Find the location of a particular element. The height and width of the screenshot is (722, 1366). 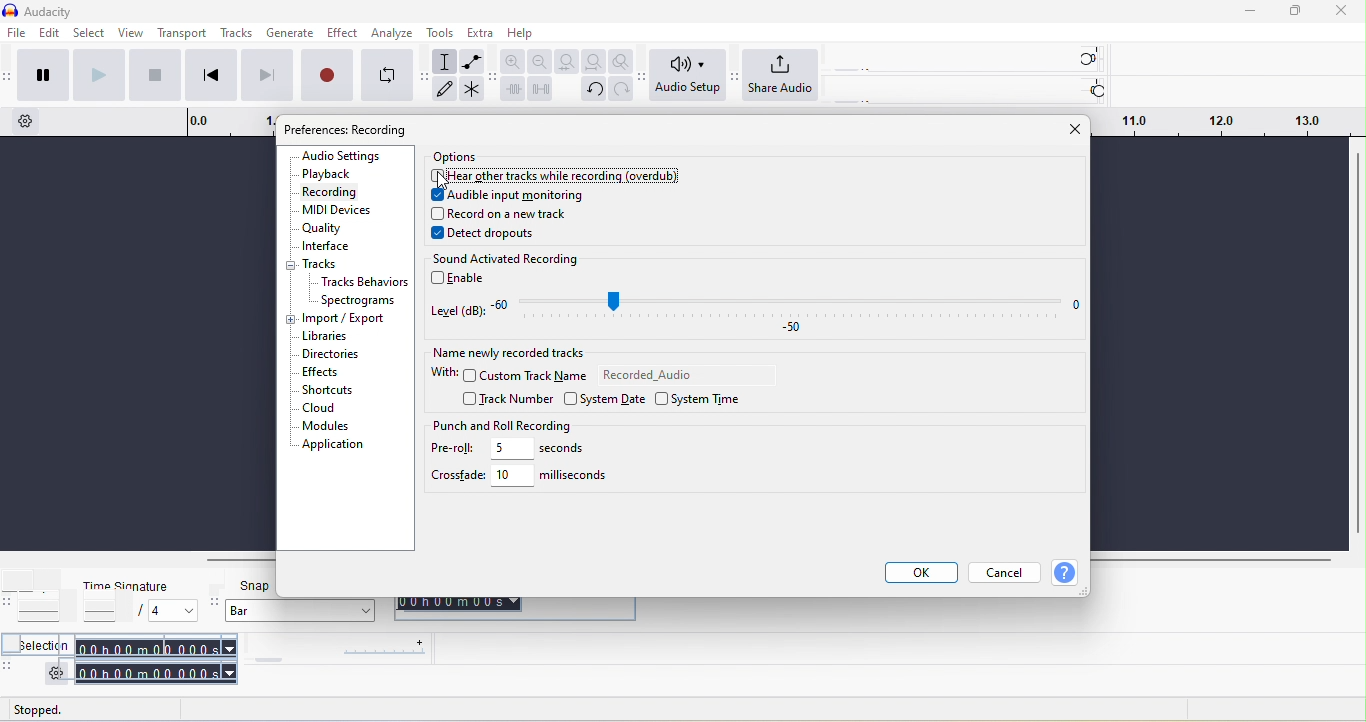

fit selection to width is located at coordinates (566, 61).